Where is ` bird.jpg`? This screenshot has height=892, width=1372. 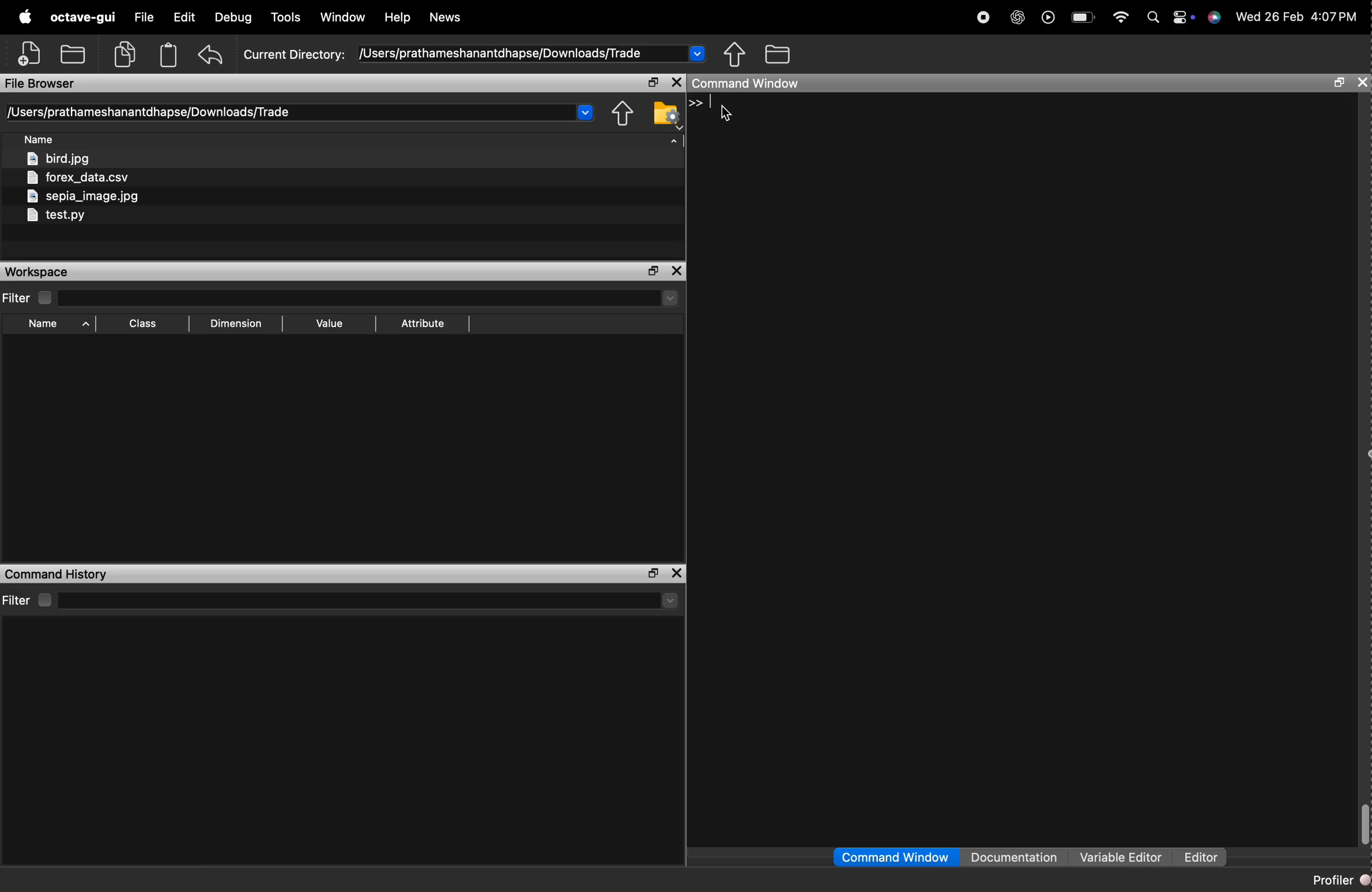
 bird.jpg is located at coordinates (58, 157).